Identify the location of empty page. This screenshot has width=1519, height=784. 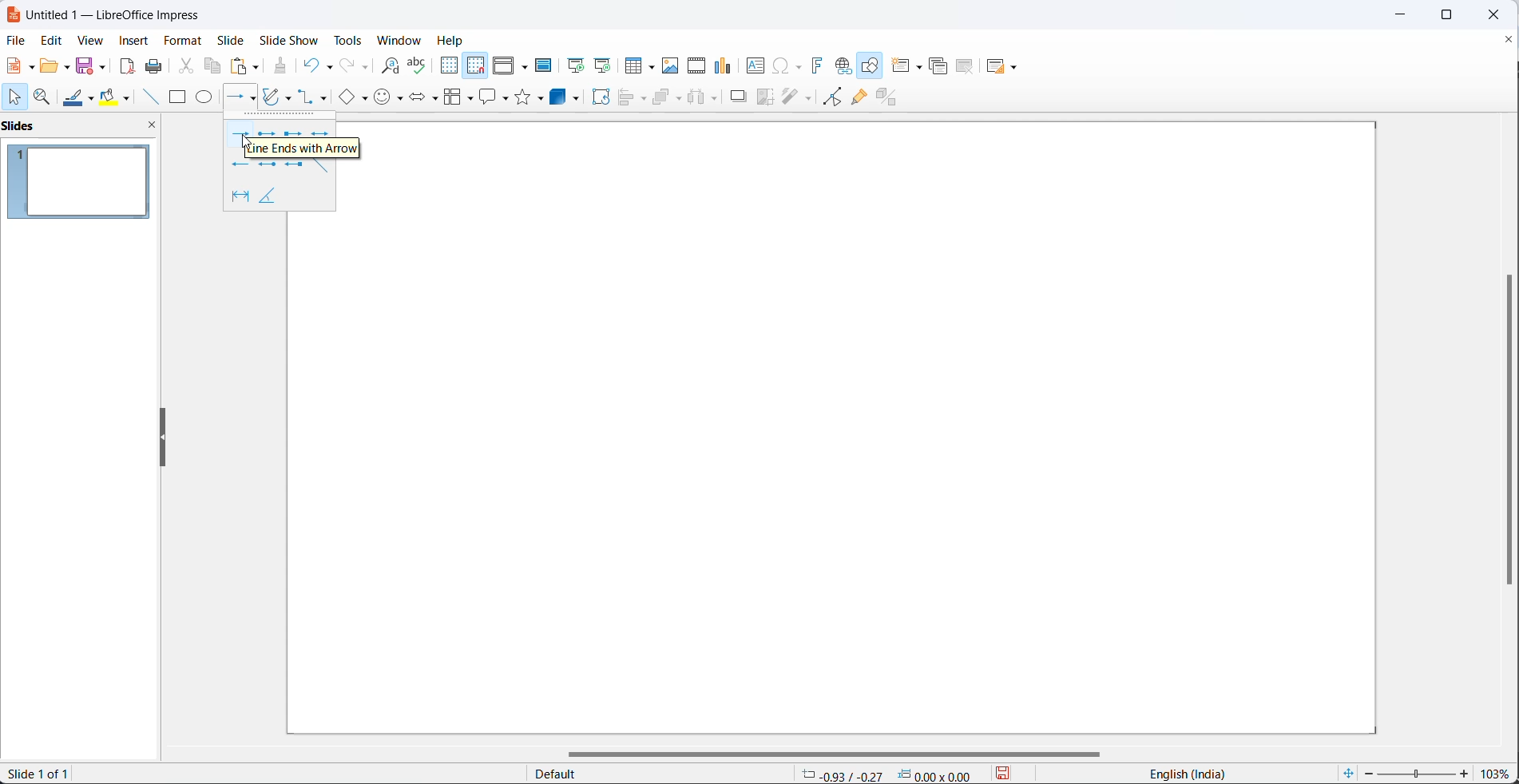
(871, 442).